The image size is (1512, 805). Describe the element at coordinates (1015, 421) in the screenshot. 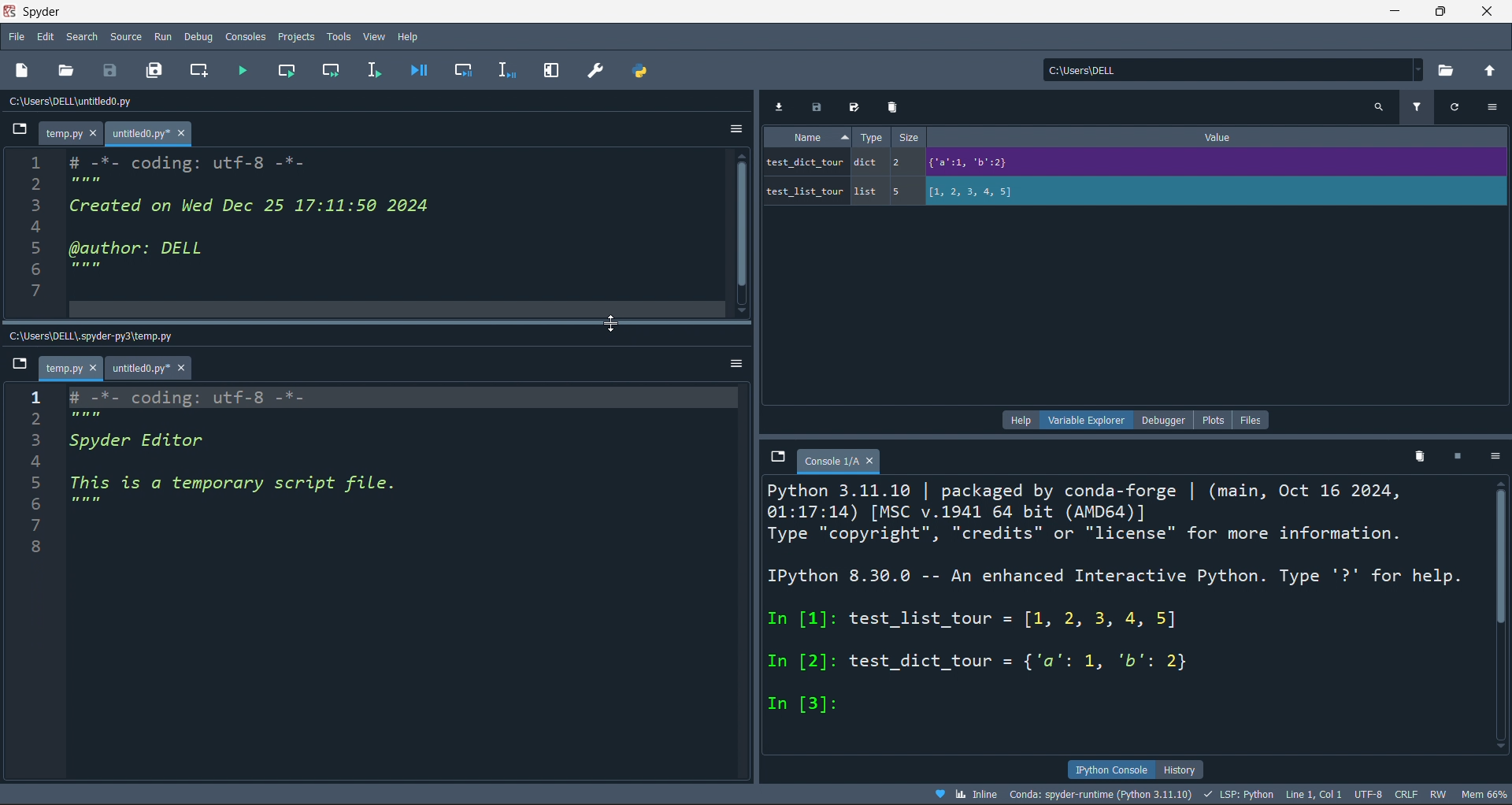

I see `help` at that location.